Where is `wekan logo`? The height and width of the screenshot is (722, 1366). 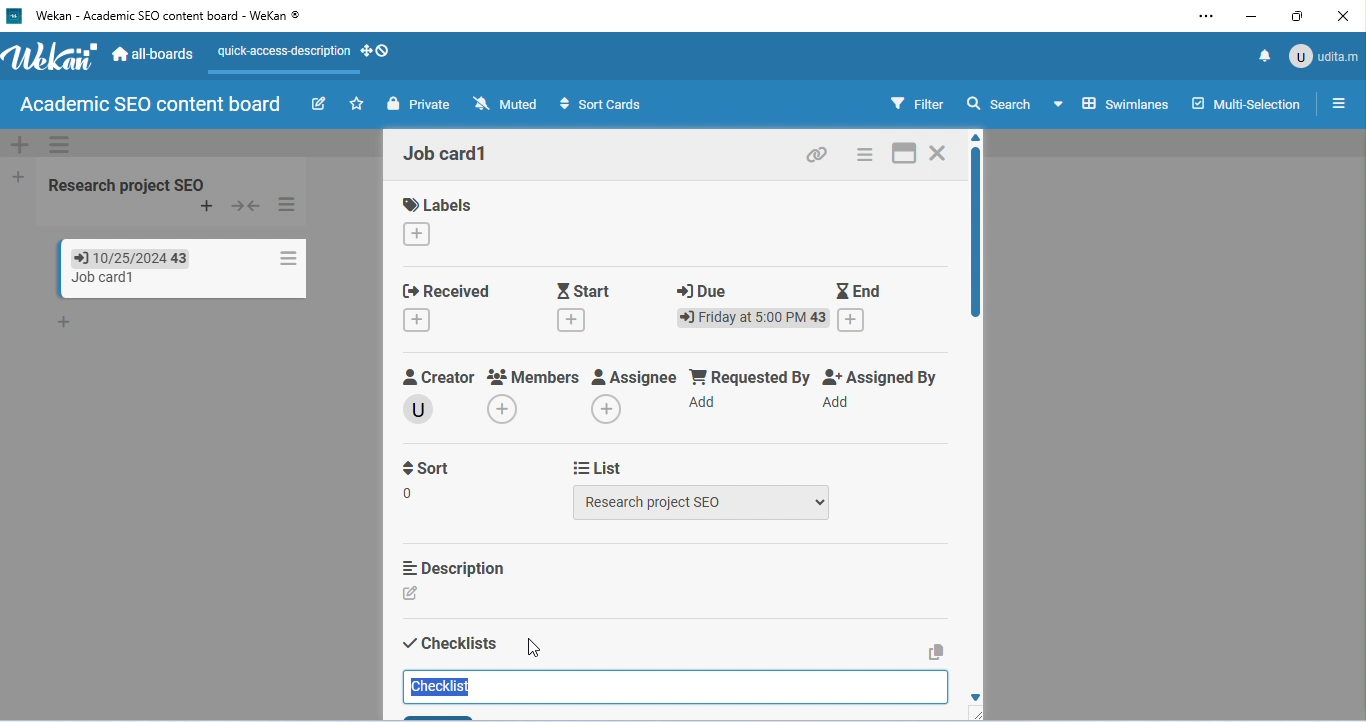 wekan logo is located at coordinates (52, 60).